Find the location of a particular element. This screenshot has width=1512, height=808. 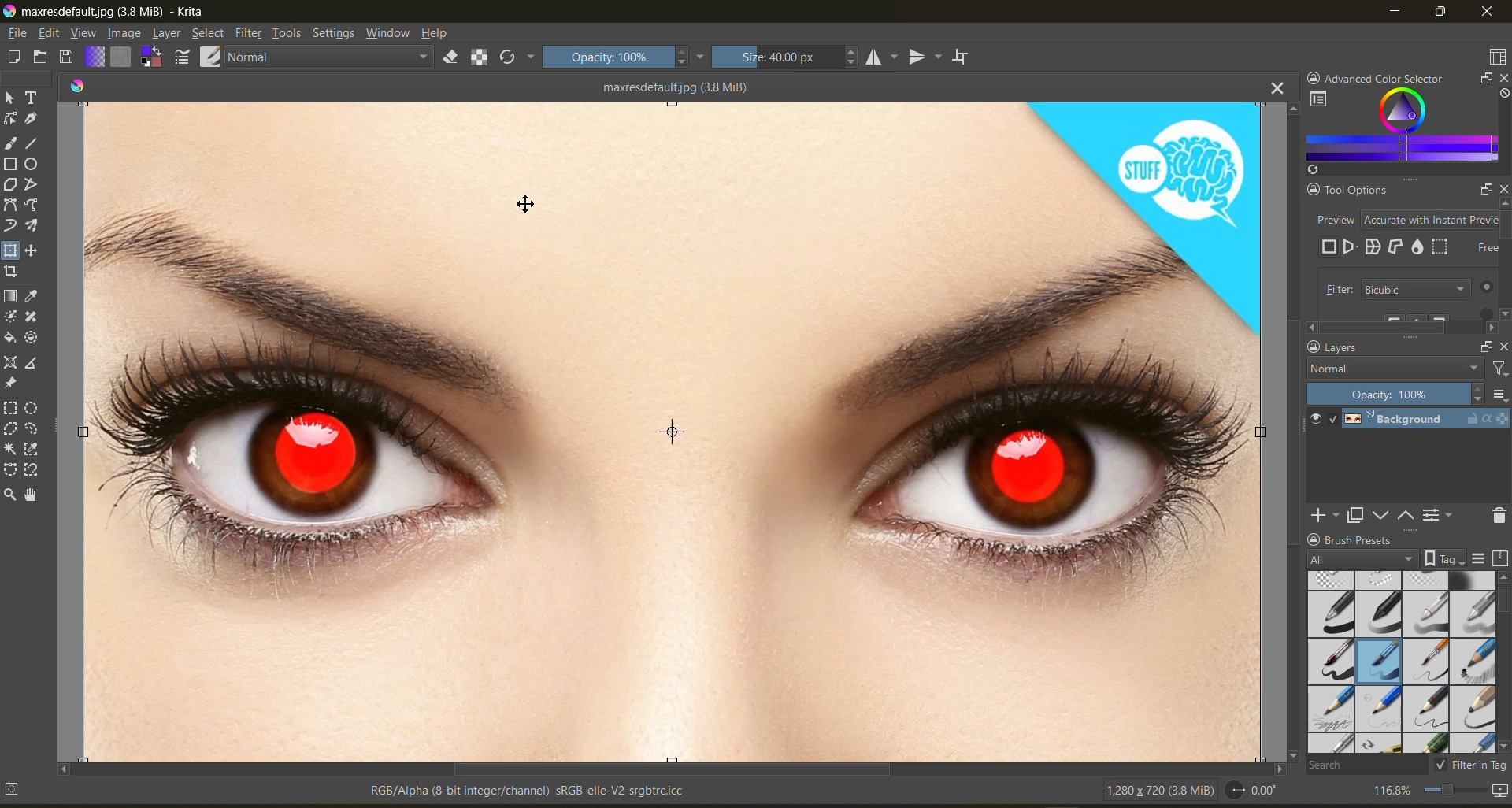

tool is located at coordinates (11, 250).